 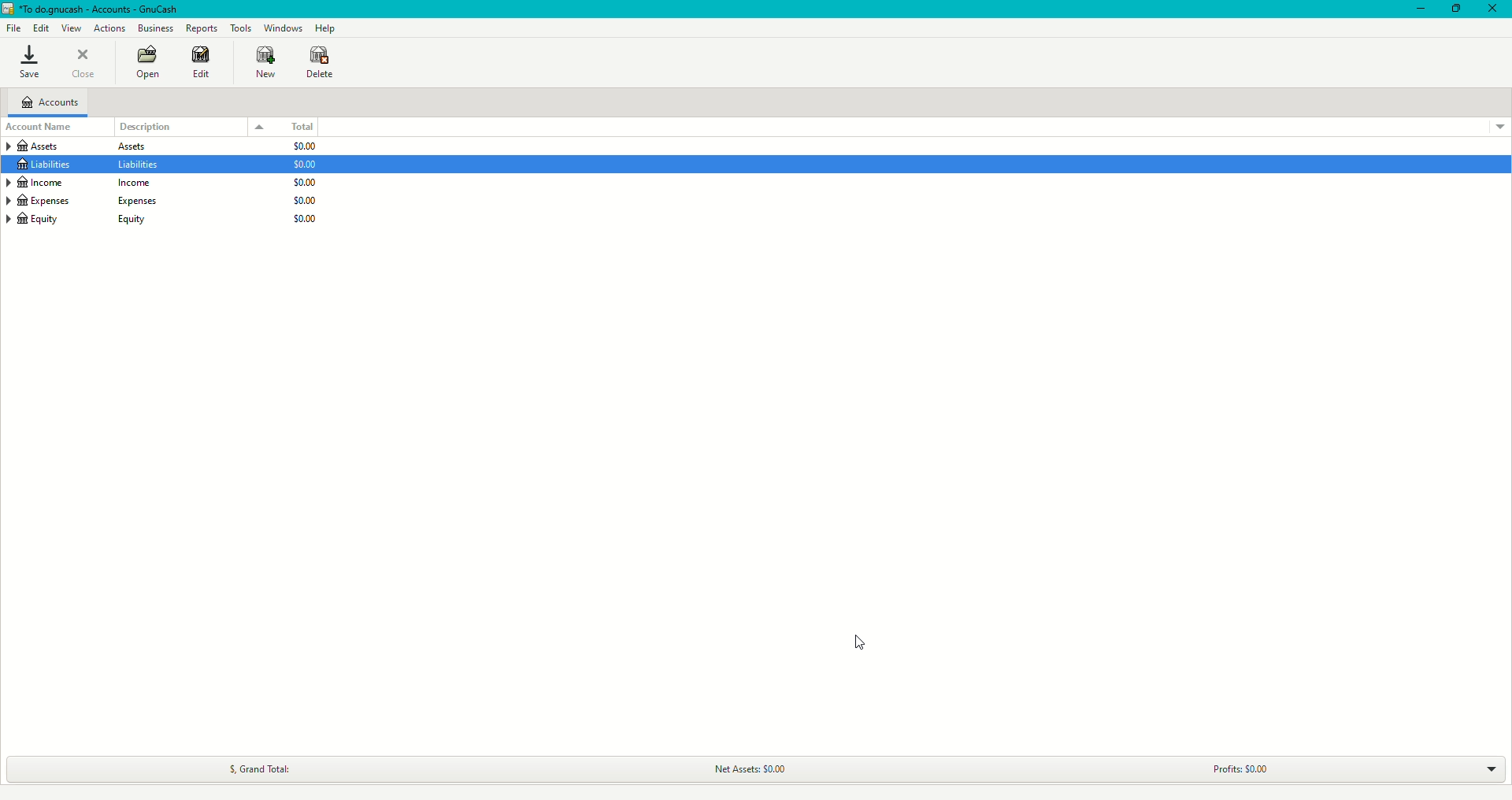 What do you see at coordinates (16, 29) in the screenshot?
I see `File` at bounding box center [16, 29].